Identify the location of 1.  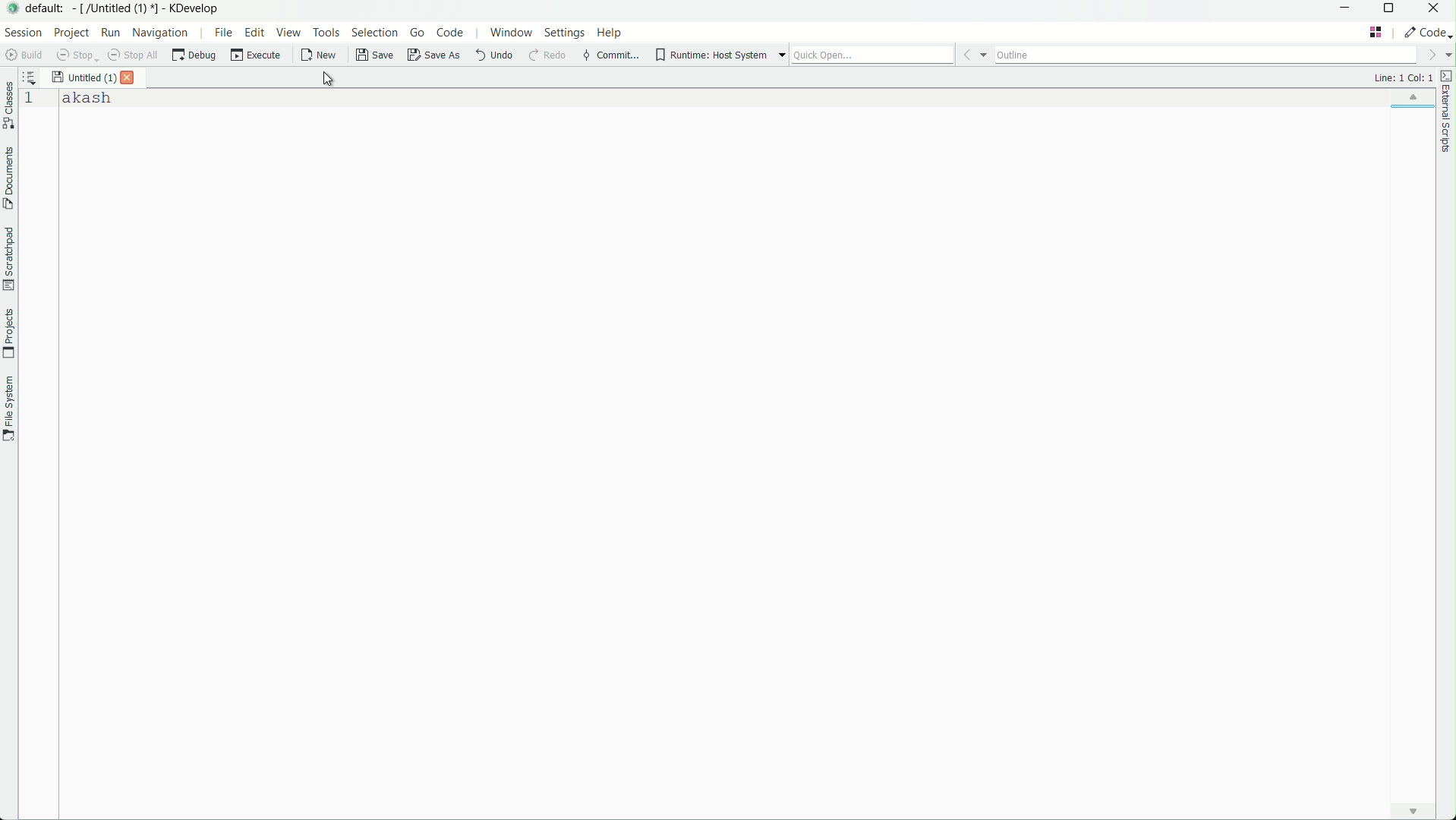
(30, 102).